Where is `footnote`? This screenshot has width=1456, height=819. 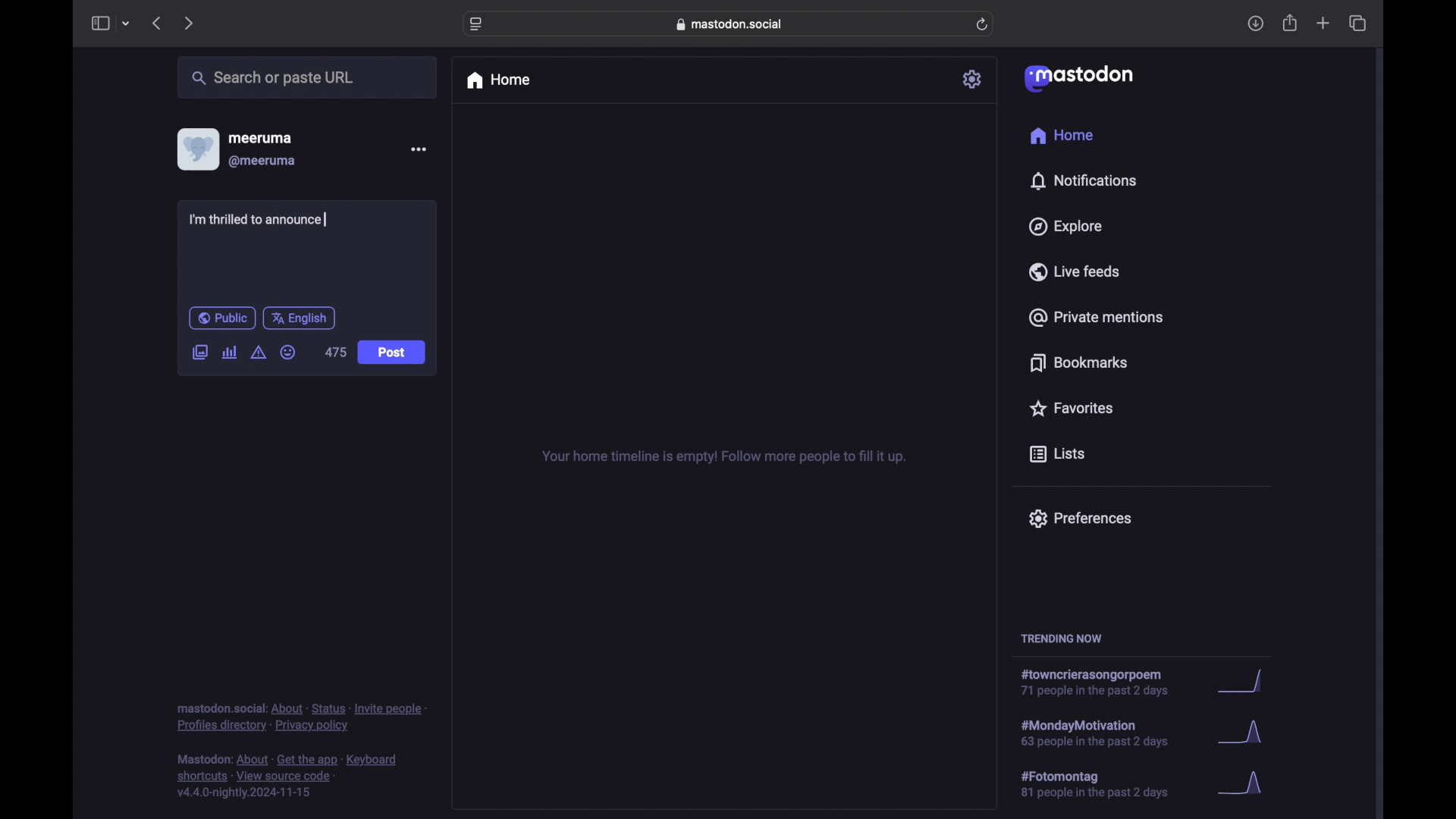
footnote is located at coordinates (301, 718).